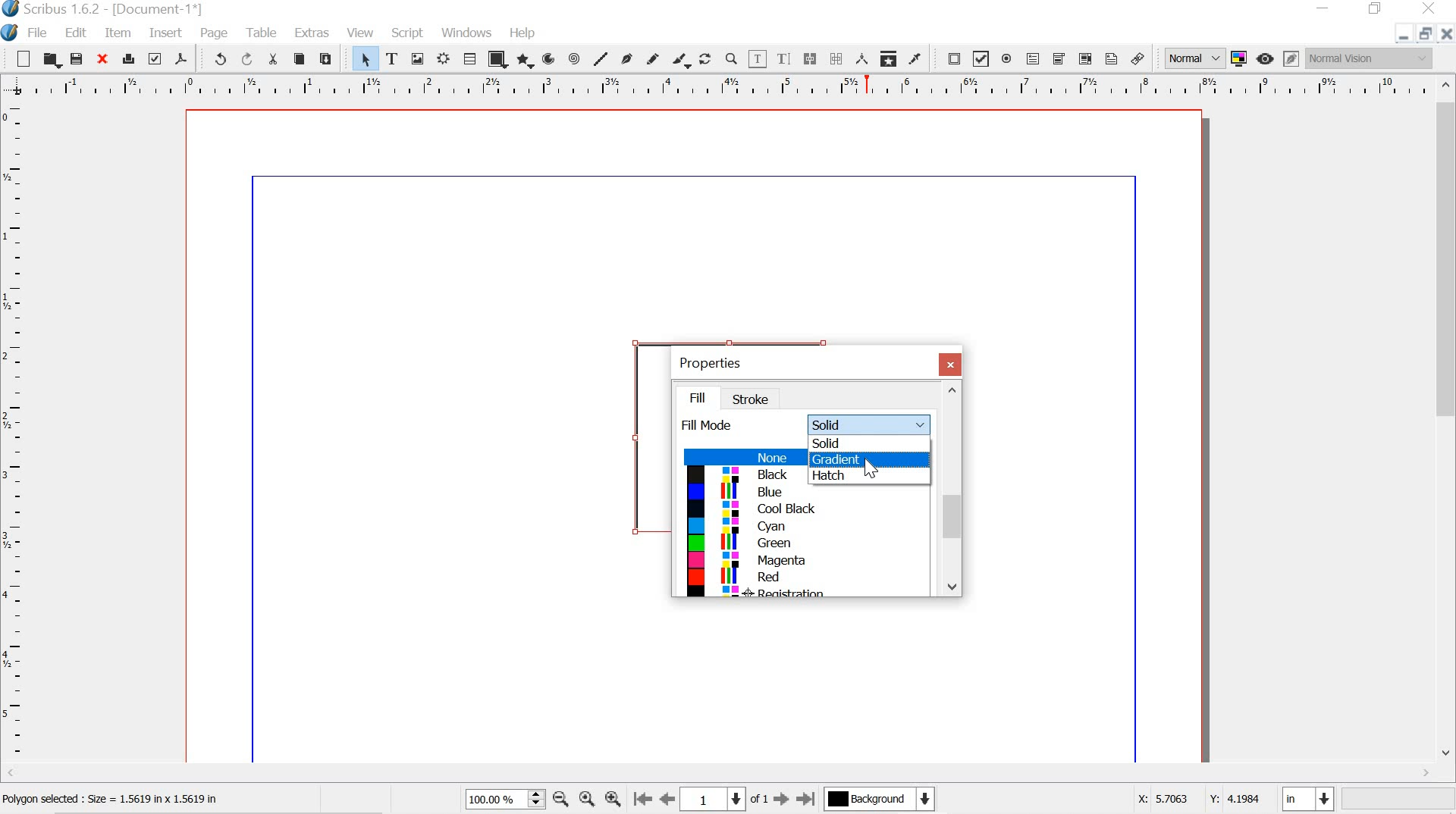 Image resolution: width=1456 pixels, height=814 pixels. Describe the element at coordinates (717, 798) in the screenshot. I see `1` at that location.